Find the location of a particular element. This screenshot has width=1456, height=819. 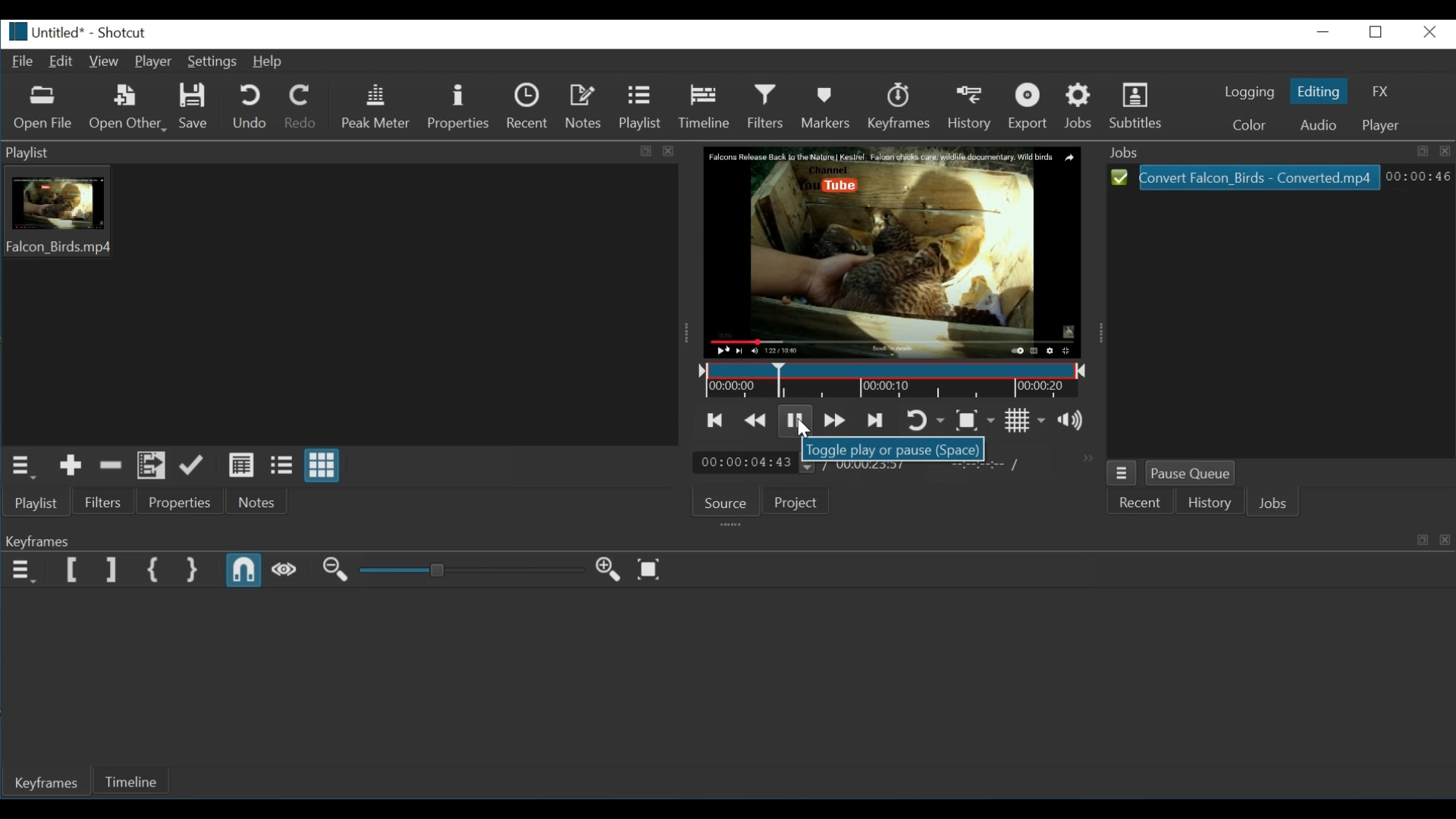

Settings is located at coordinates (213, 62).